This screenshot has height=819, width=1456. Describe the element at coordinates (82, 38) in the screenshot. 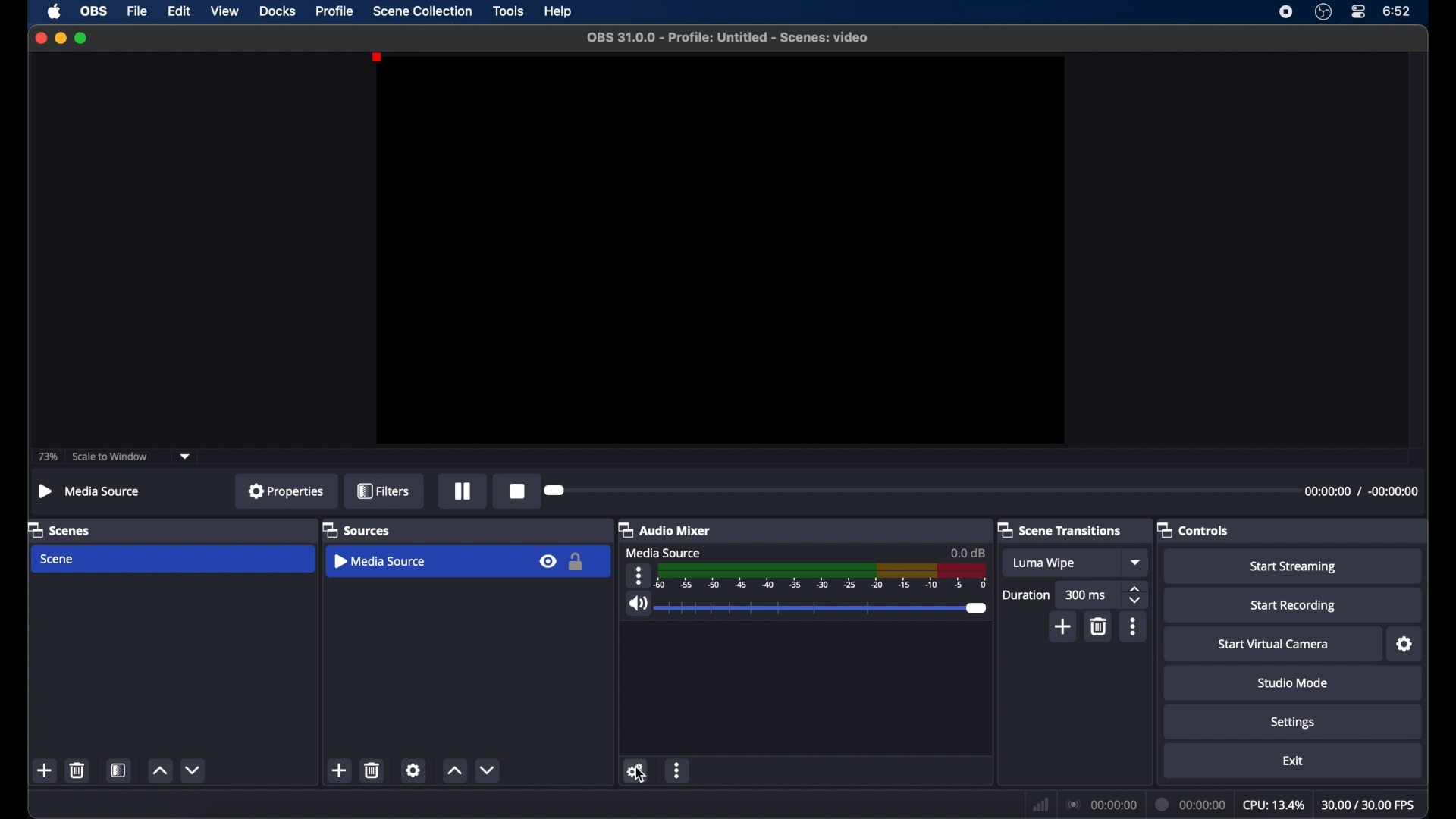

I see `maximize` at that location.